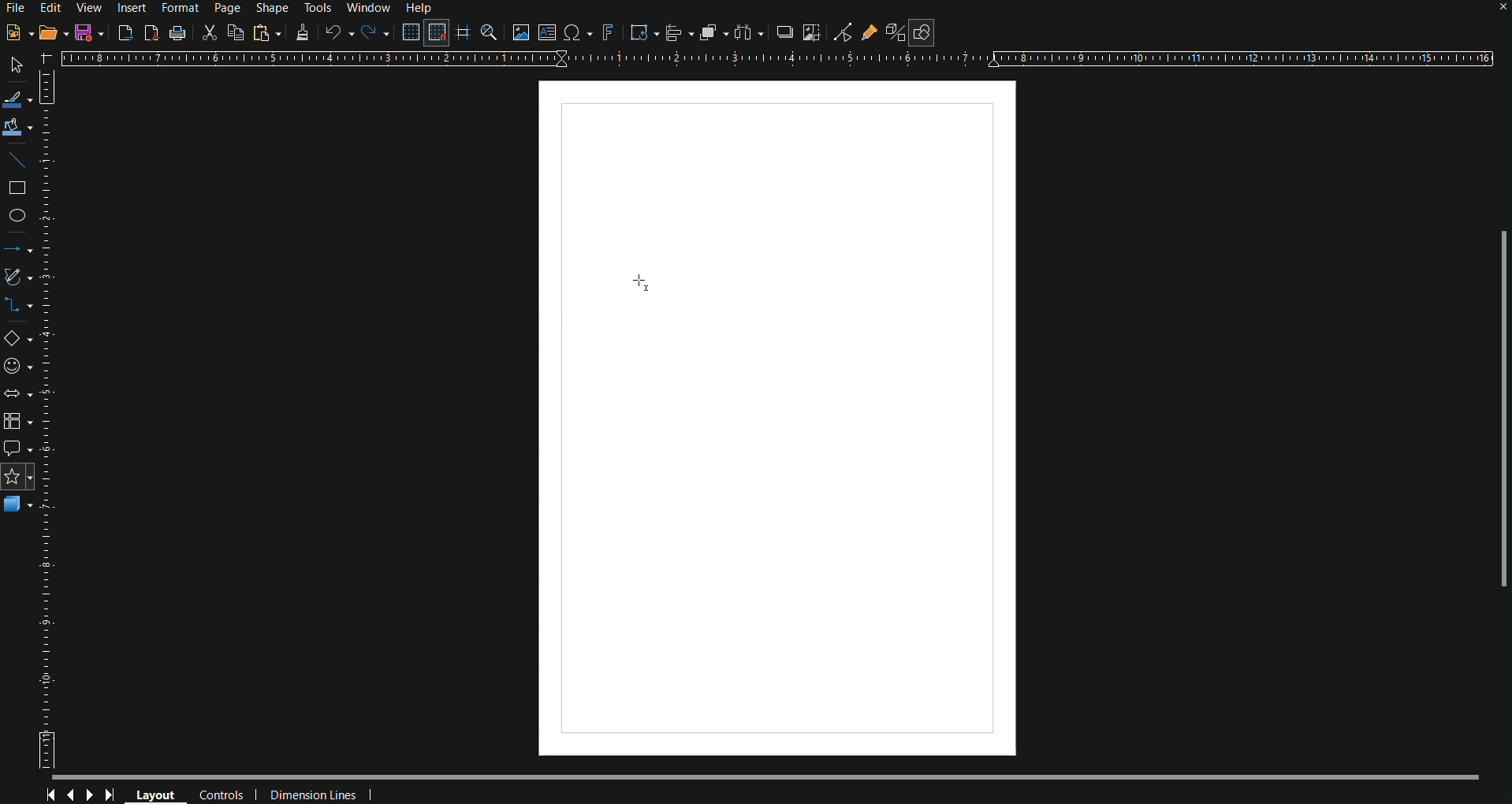 This screenshot has width=1512, height=804. I want to click on Formatting, so click(300, 33).